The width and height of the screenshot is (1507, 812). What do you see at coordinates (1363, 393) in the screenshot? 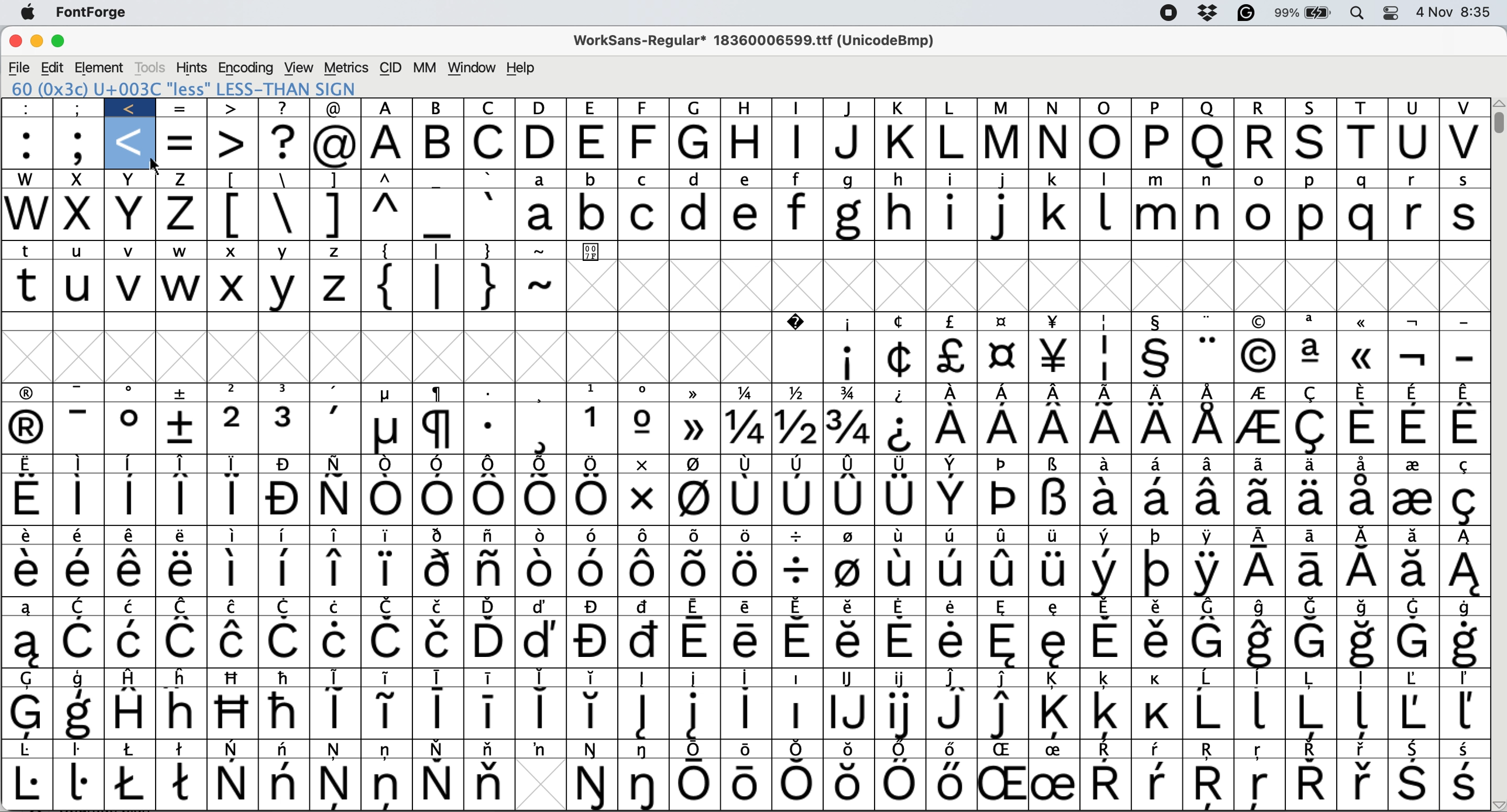
I see `Symbol` at bounding box center [1363, 393].